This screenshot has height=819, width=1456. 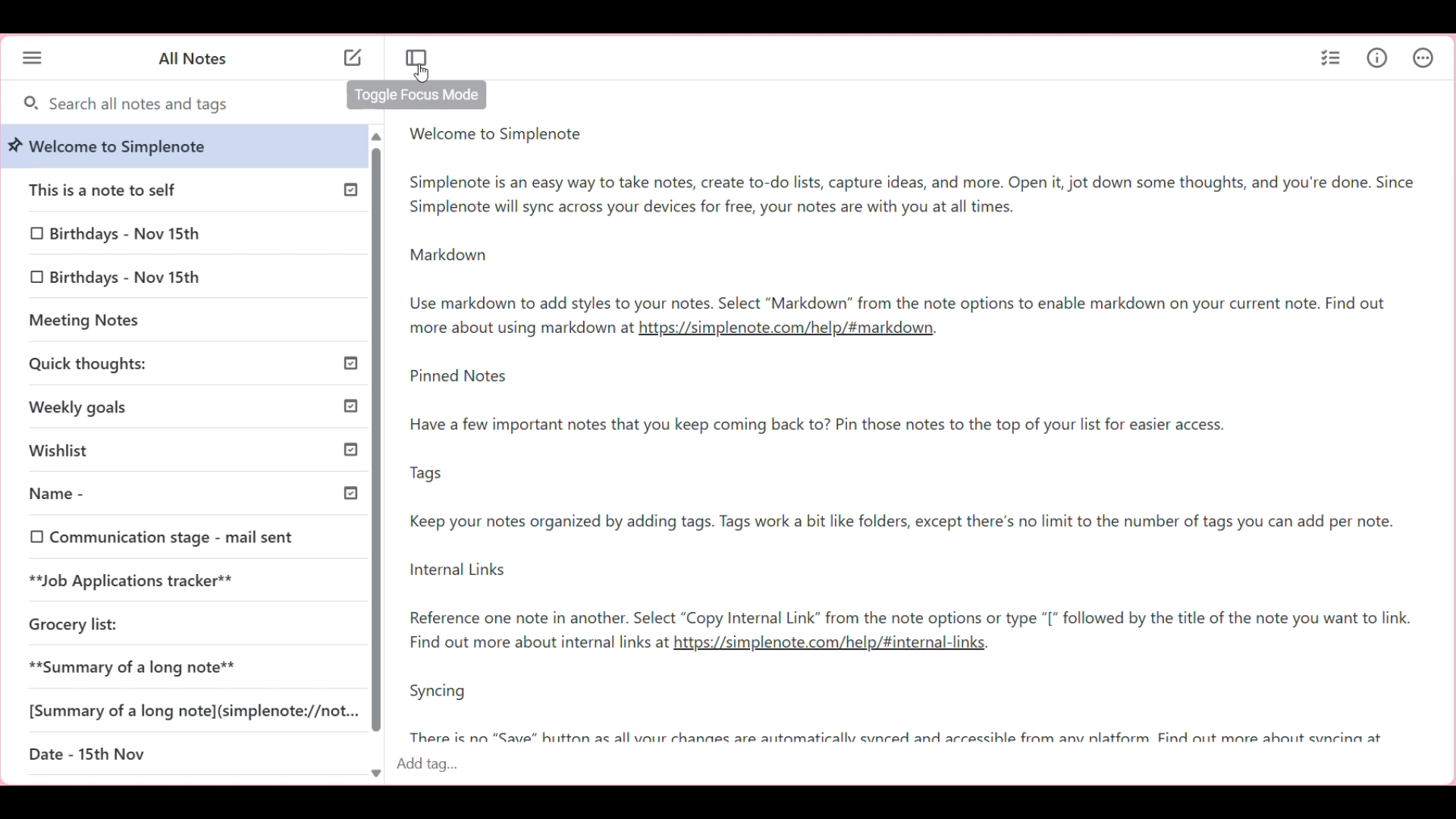 What do you see at coordinates (124, 145) in the screenshot?
I see `welcome to Simplenote` at bounding box center [124, 145].